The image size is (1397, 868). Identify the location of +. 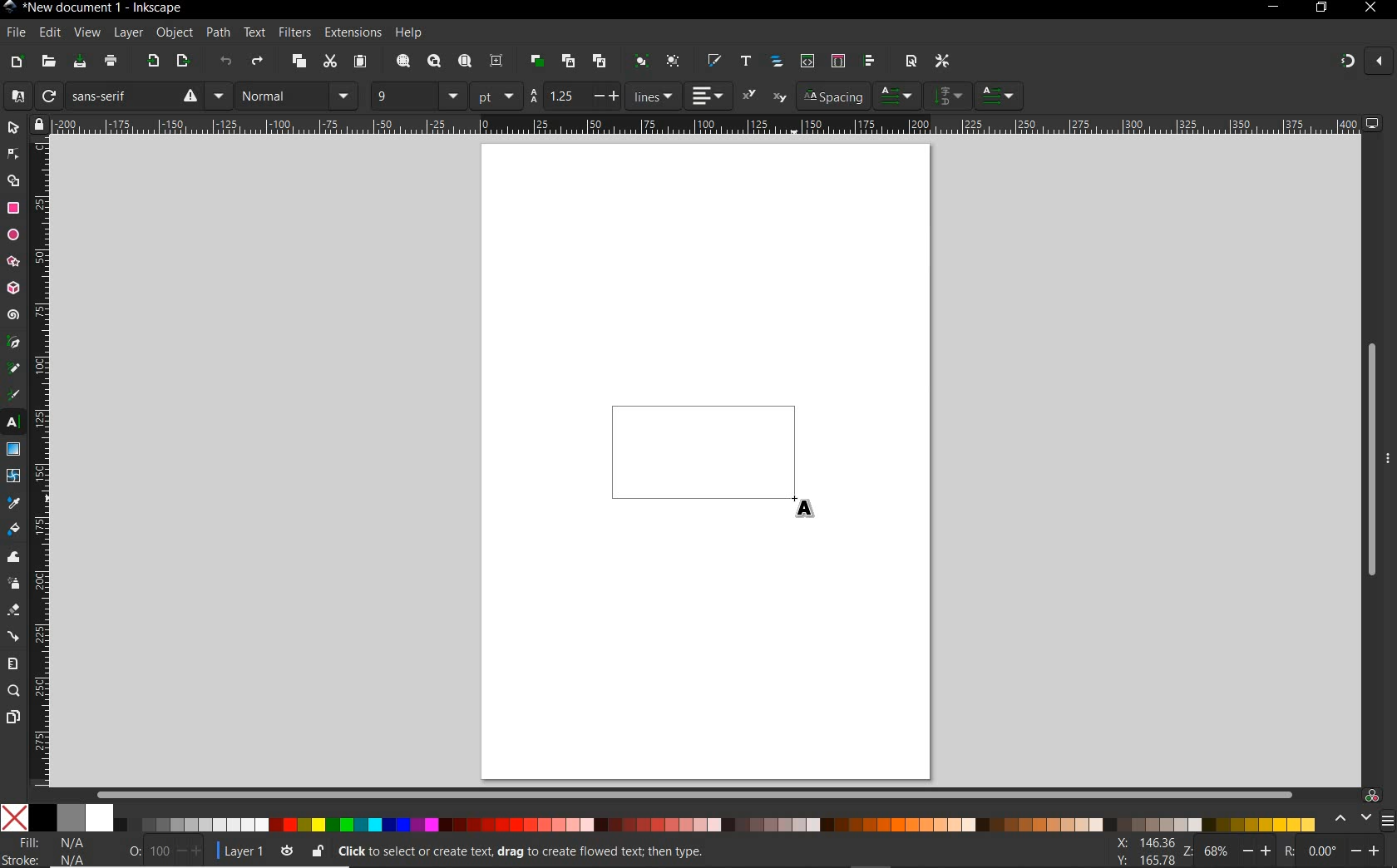
(616, 95).